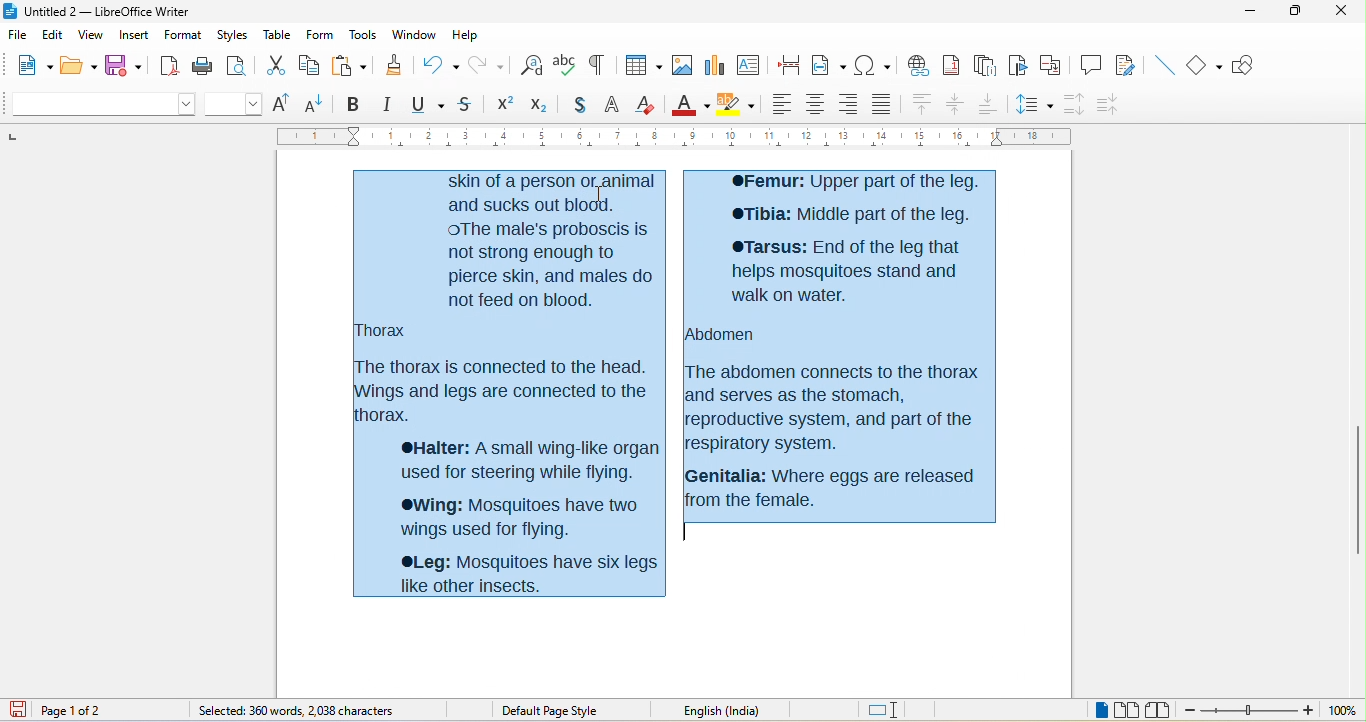 The height and width of the screenshot is (722, 1366). I want to click on page 1 of 2, so click(79, 710).